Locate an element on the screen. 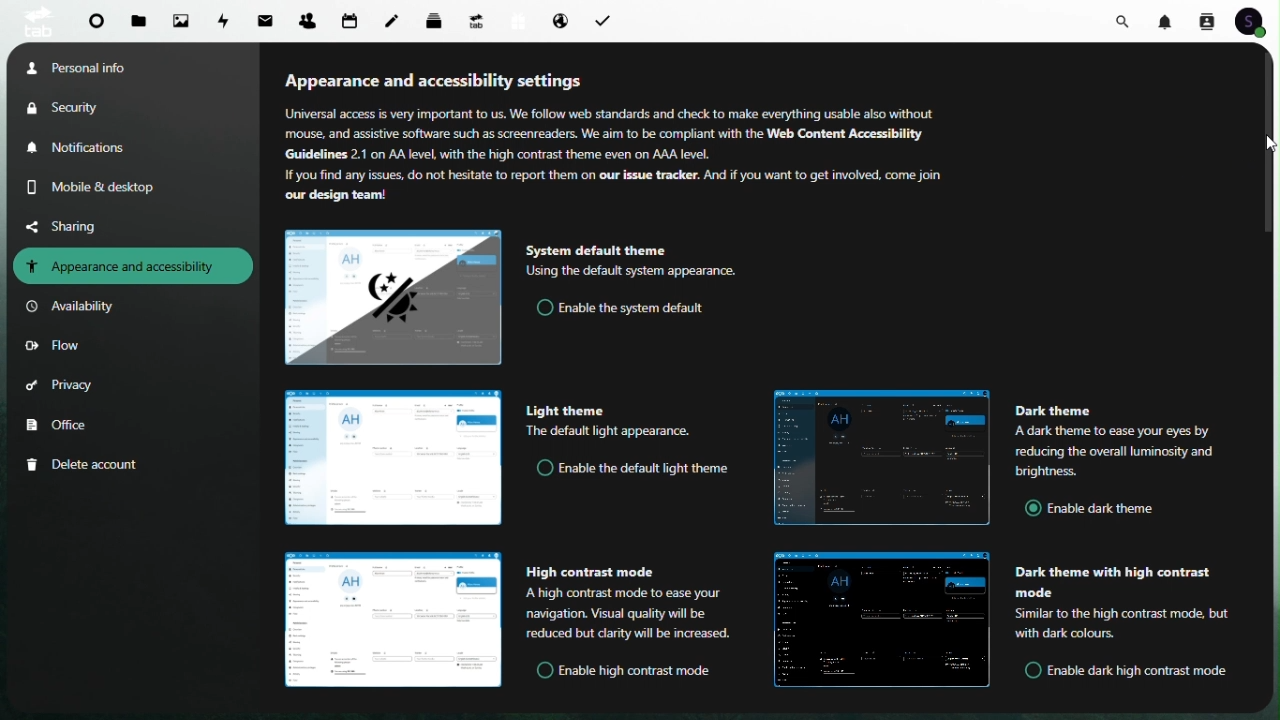 The image size is (1280, 720). Activity is located at coordinates (226, 19).